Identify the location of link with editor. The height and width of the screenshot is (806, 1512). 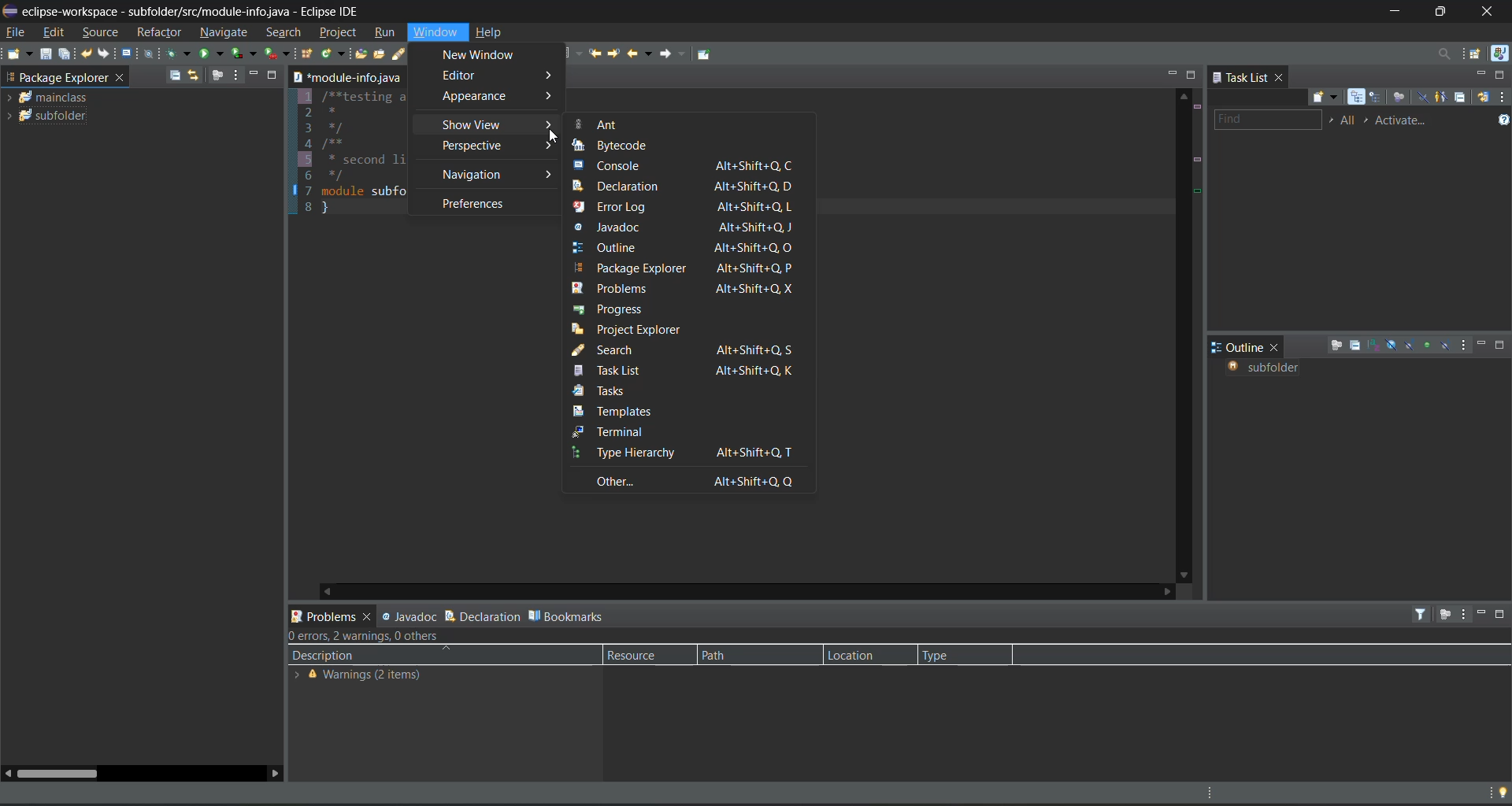
(194, 76).